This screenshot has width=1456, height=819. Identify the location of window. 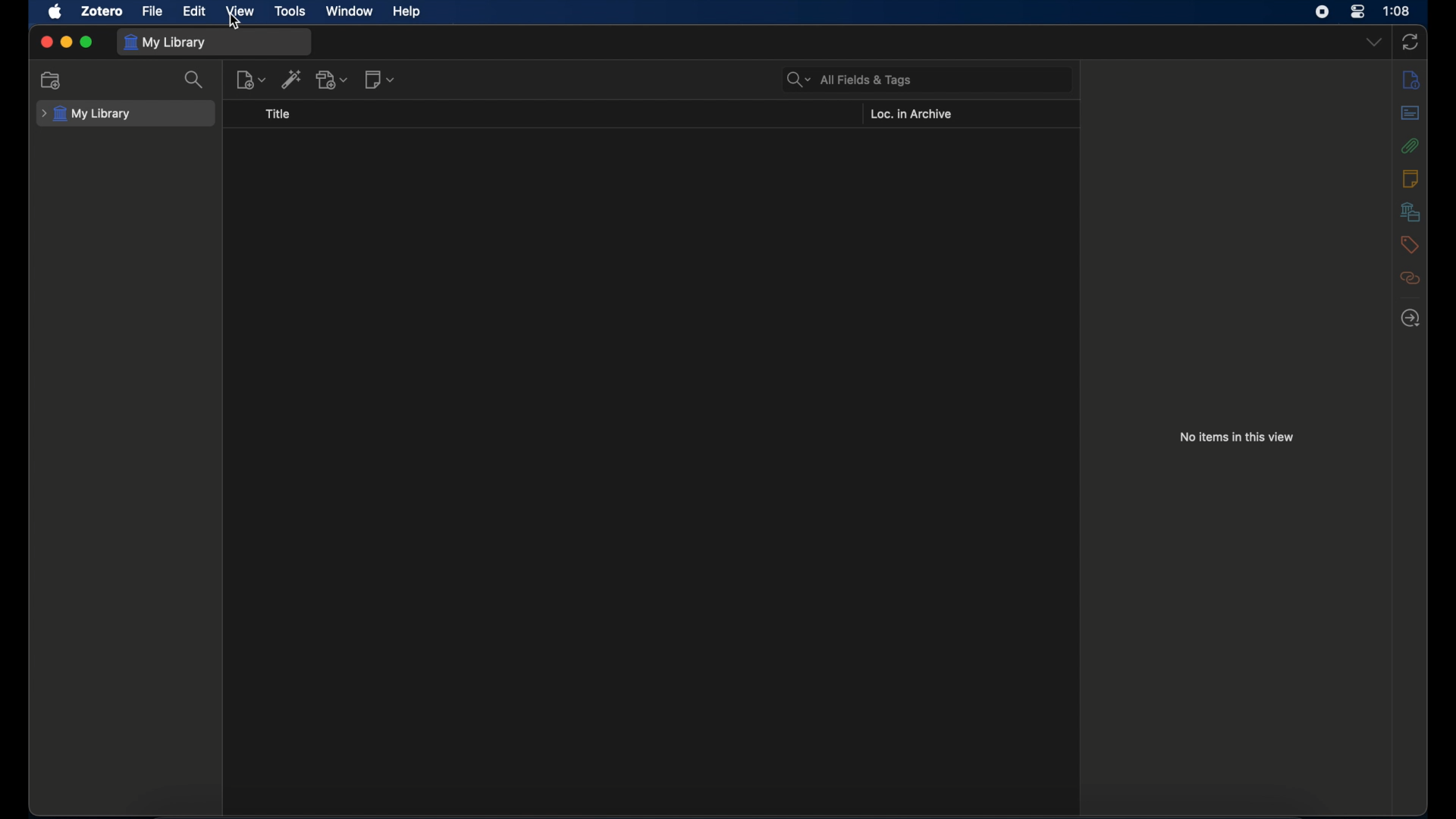
(351, 11).